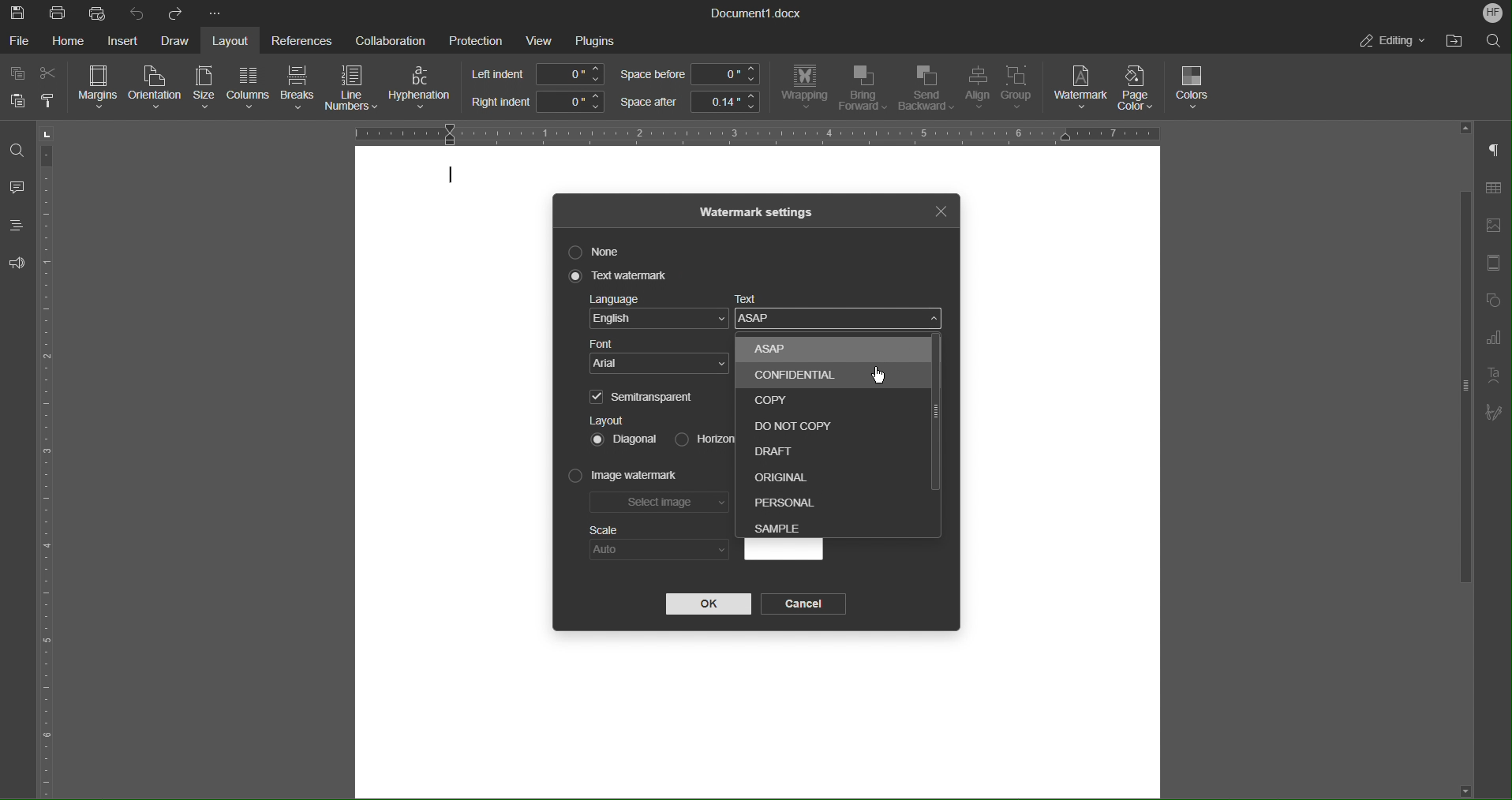 The image size is (1512, 800). Describe the element at coordinates (156, 88) in the screenshot. I see `Orientation` at that location.